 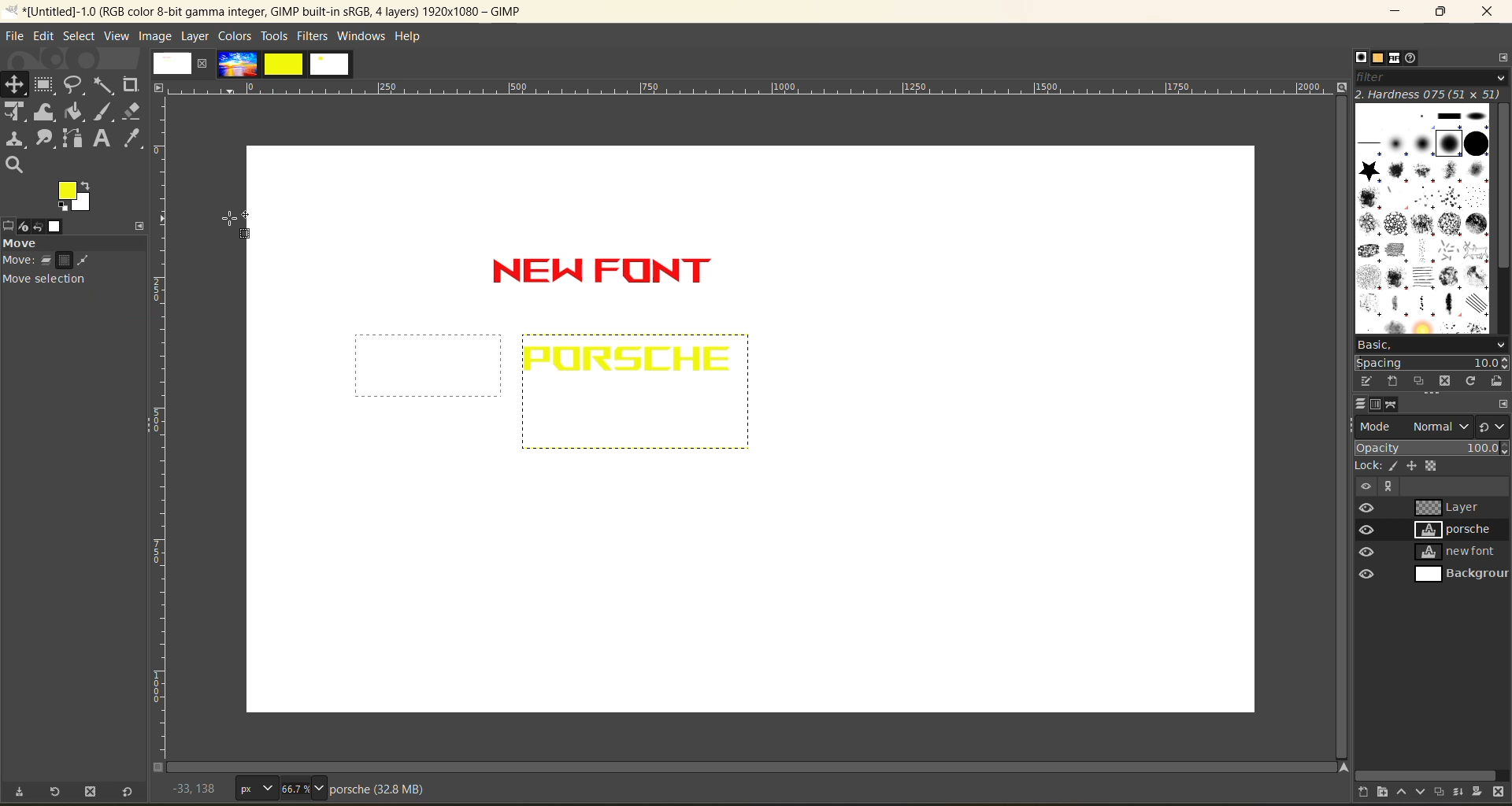 I want to click on tool options, so click(x=9, y=226).